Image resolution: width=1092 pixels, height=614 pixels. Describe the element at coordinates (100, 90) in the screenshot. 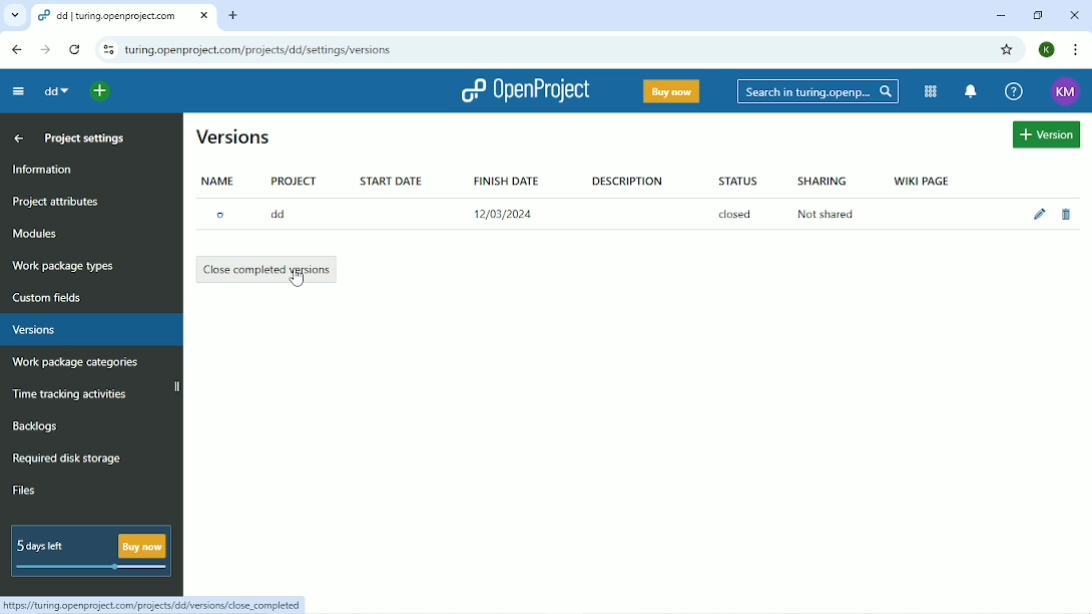

I see `open quick add menu` at that location.